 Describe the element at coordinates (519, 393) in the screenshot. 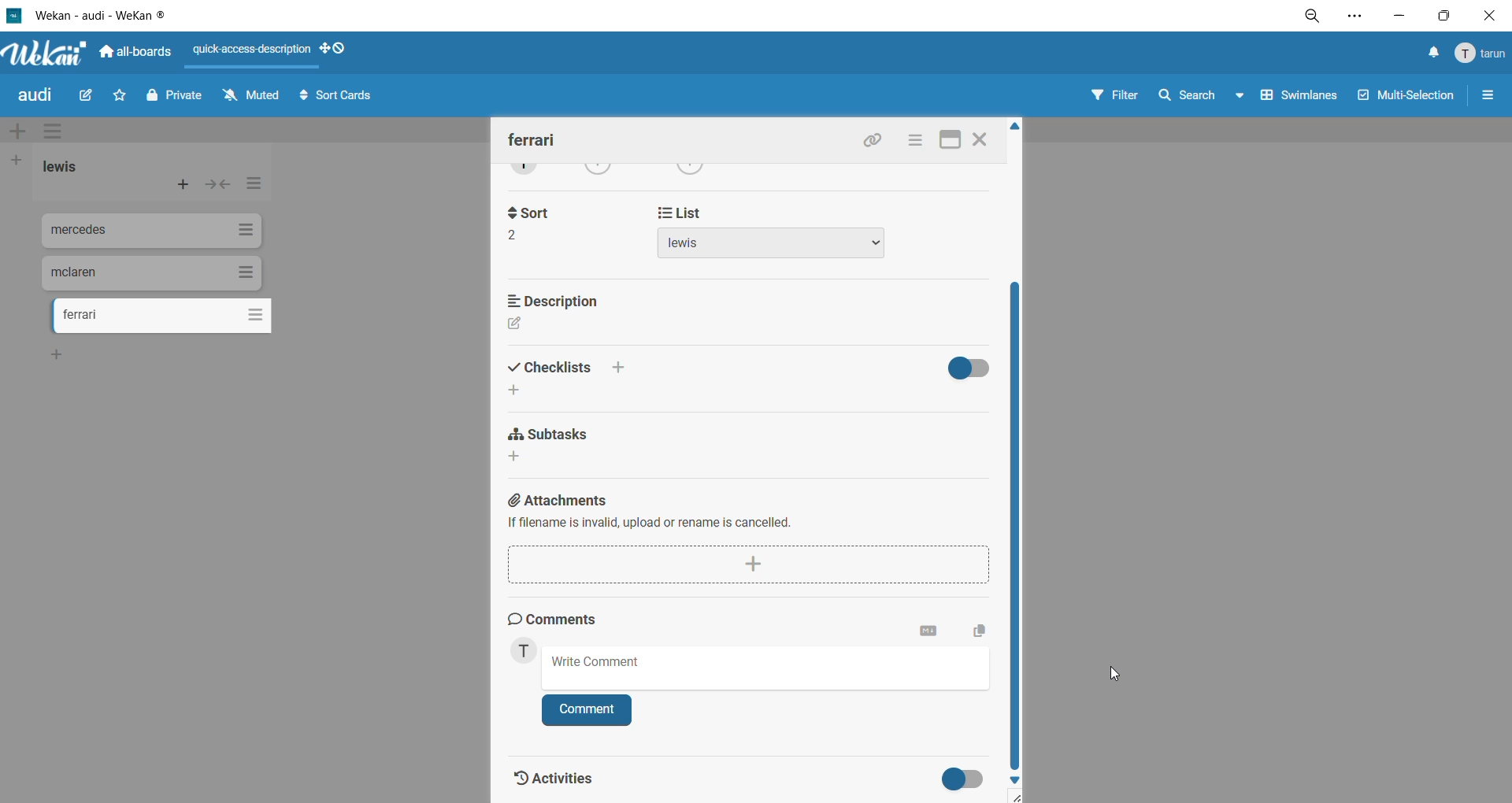

I see `add` at that location.